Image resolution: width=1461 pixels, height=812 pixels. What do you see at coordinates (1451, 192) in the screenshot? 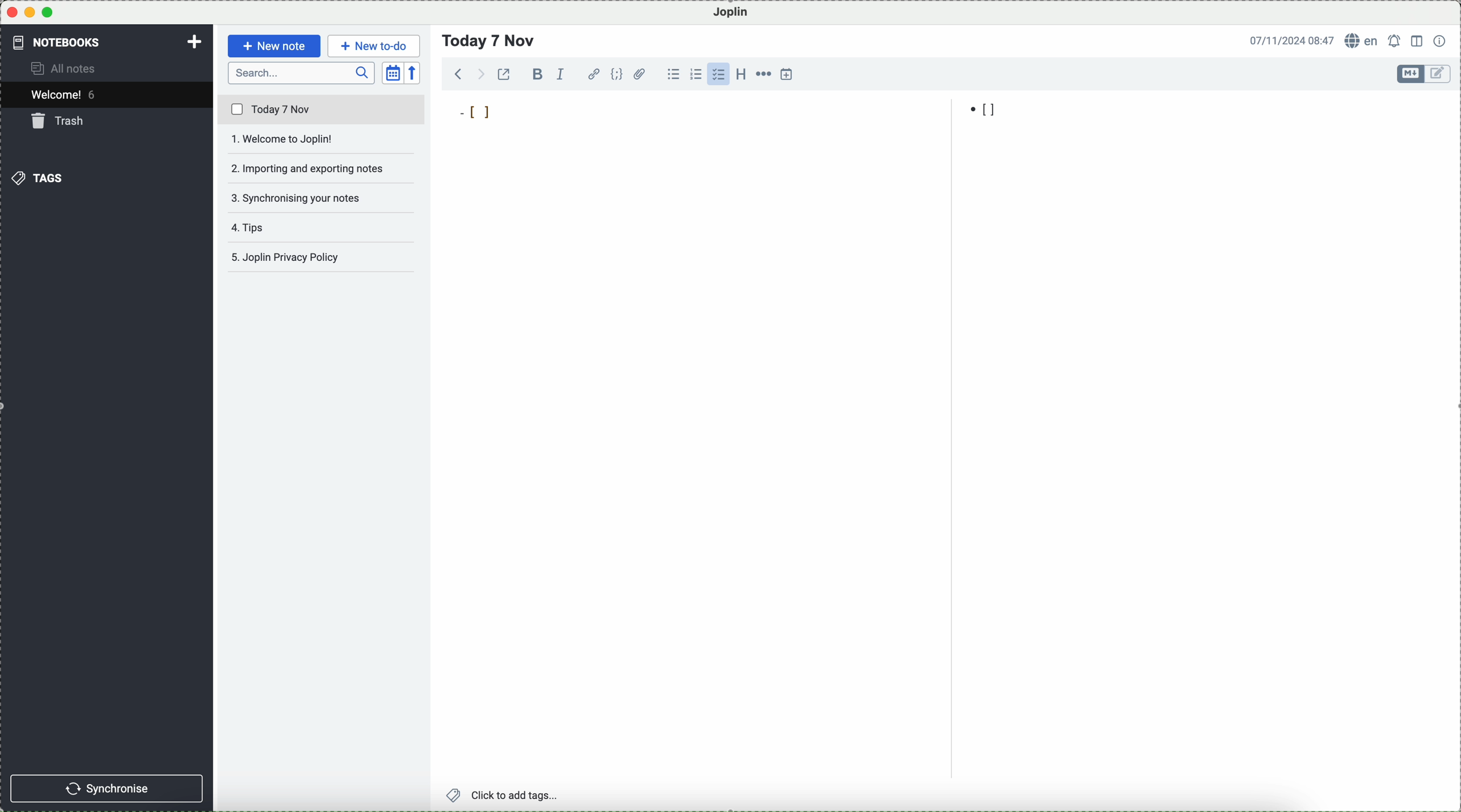
I see `vertical scroll bar` at bounding box center [1451, 192].